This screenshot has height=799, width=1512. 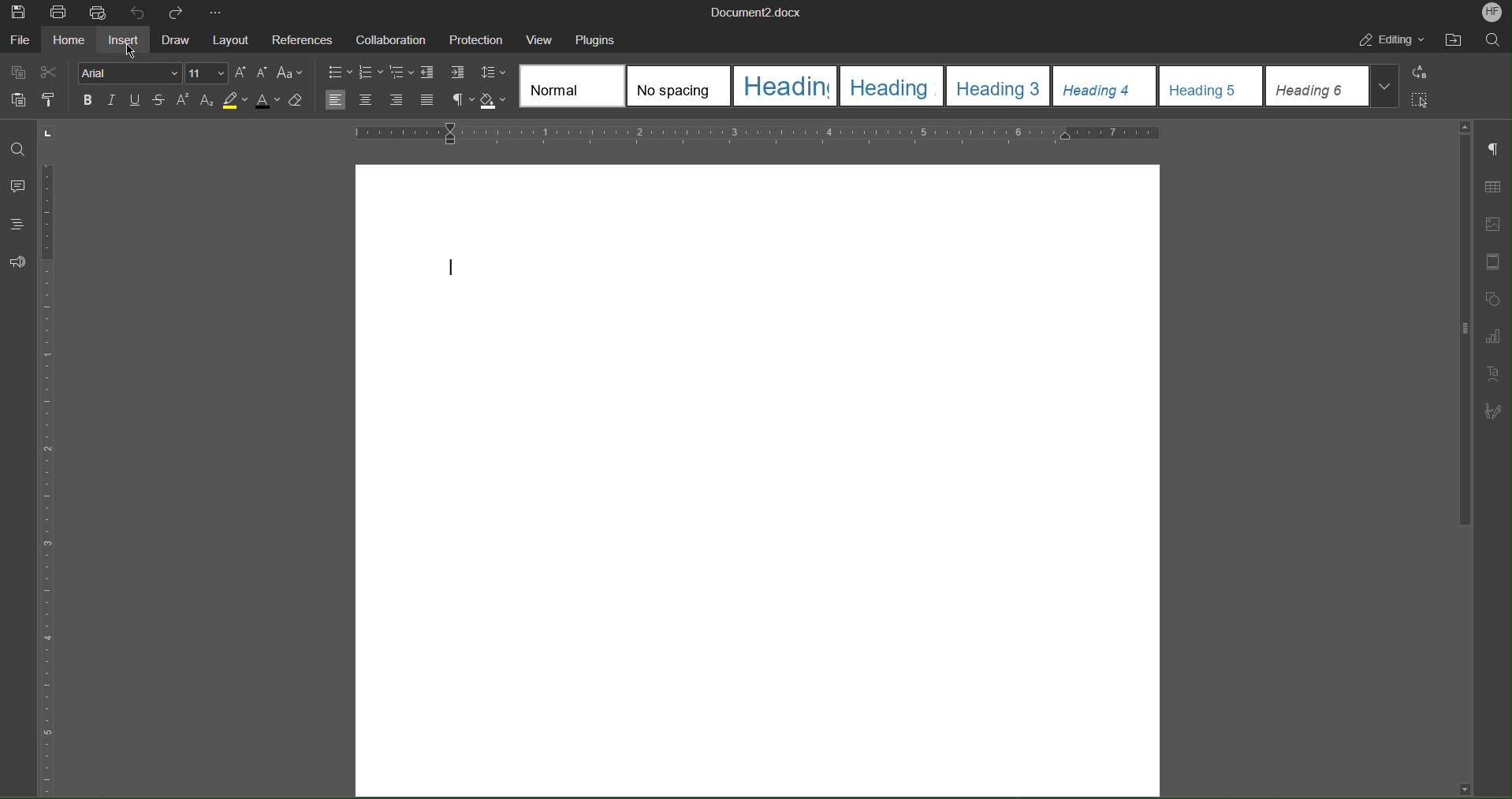 I want to click on Editing, so click(x=1395, y=42).